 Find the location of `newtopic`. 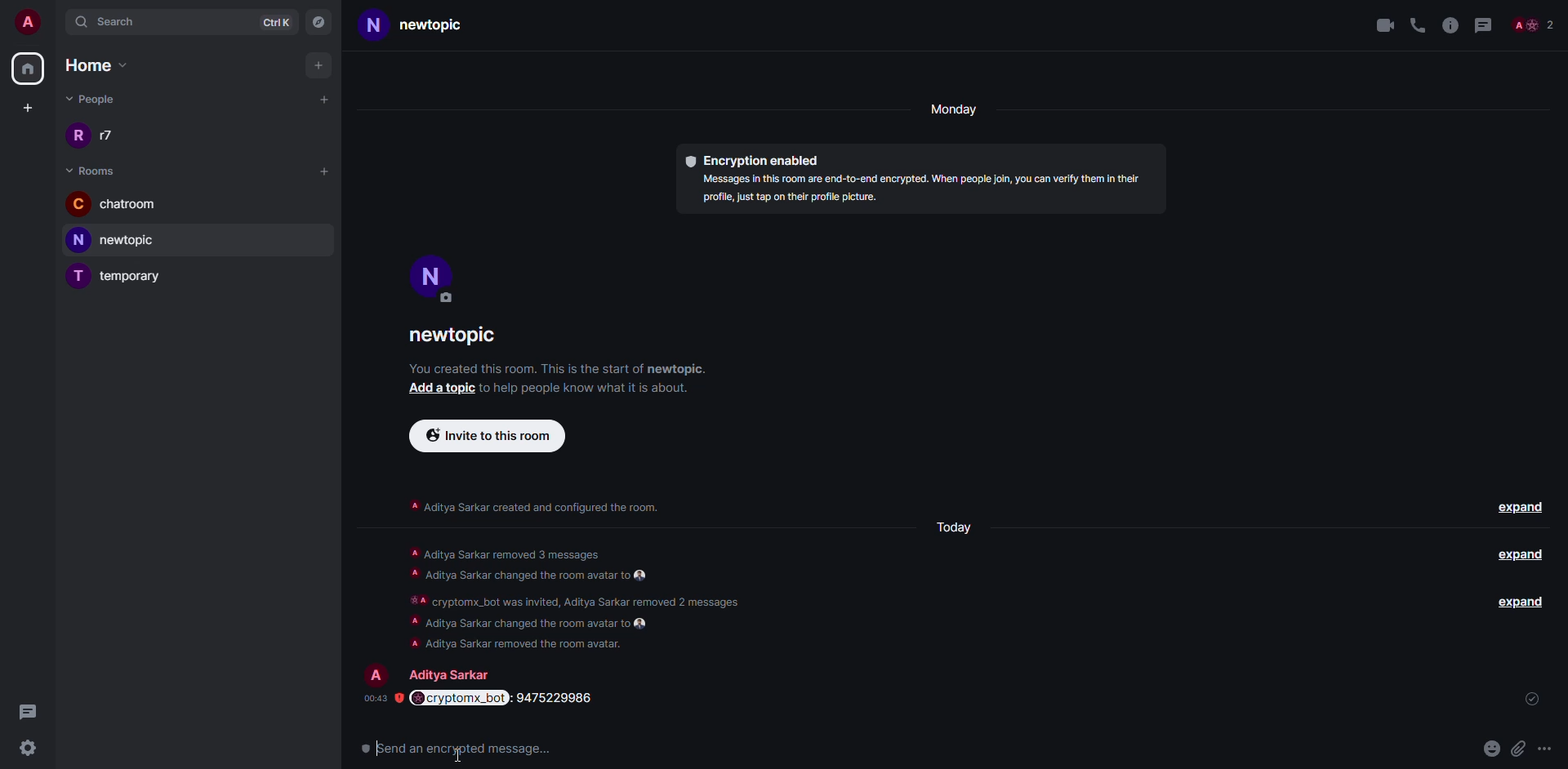

newtopic is located at coordinates (121, 240).